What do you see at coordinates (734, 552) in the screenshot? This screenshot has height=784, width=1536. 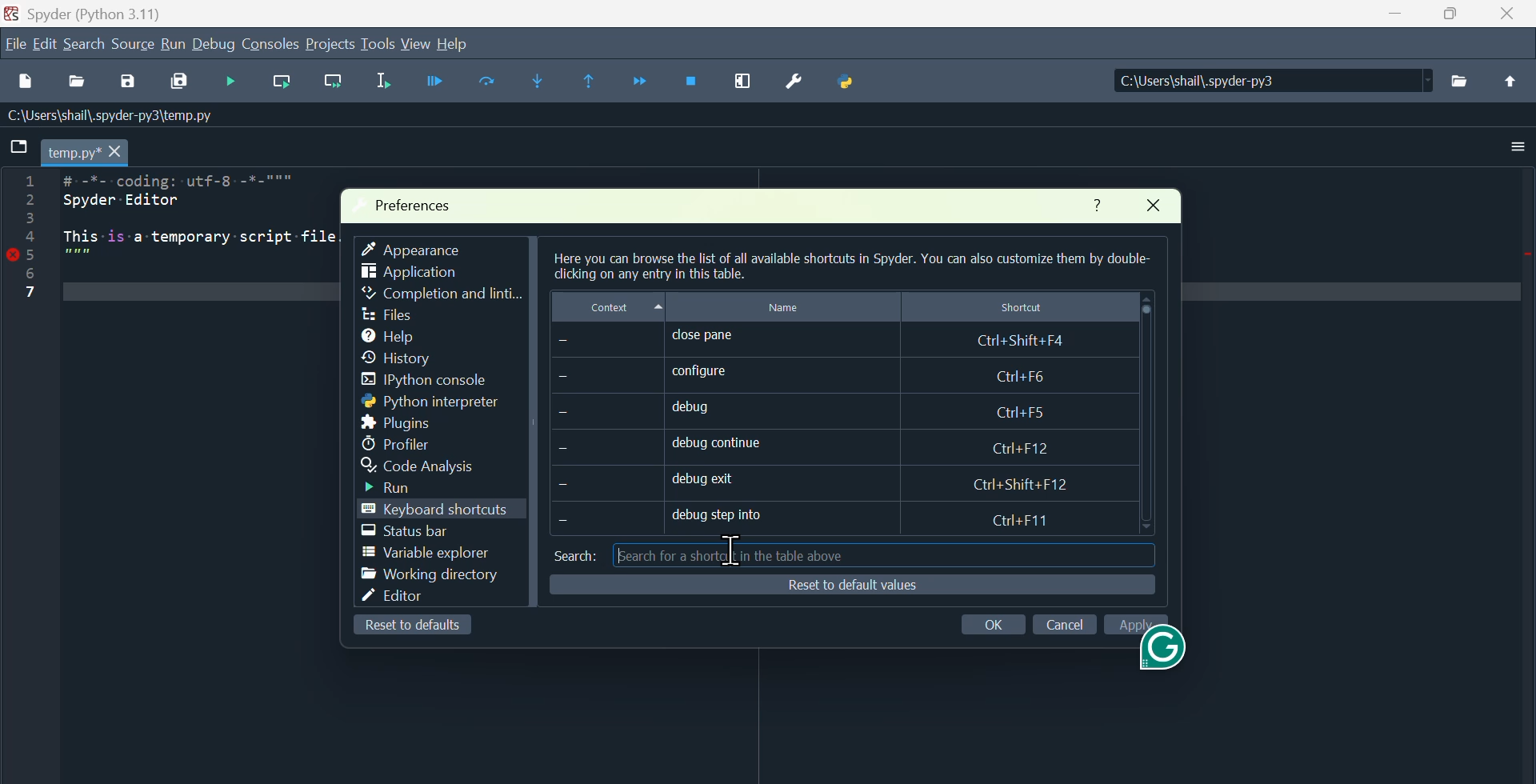 I see `Cursor on search bar` at bounding box center [734, 552].